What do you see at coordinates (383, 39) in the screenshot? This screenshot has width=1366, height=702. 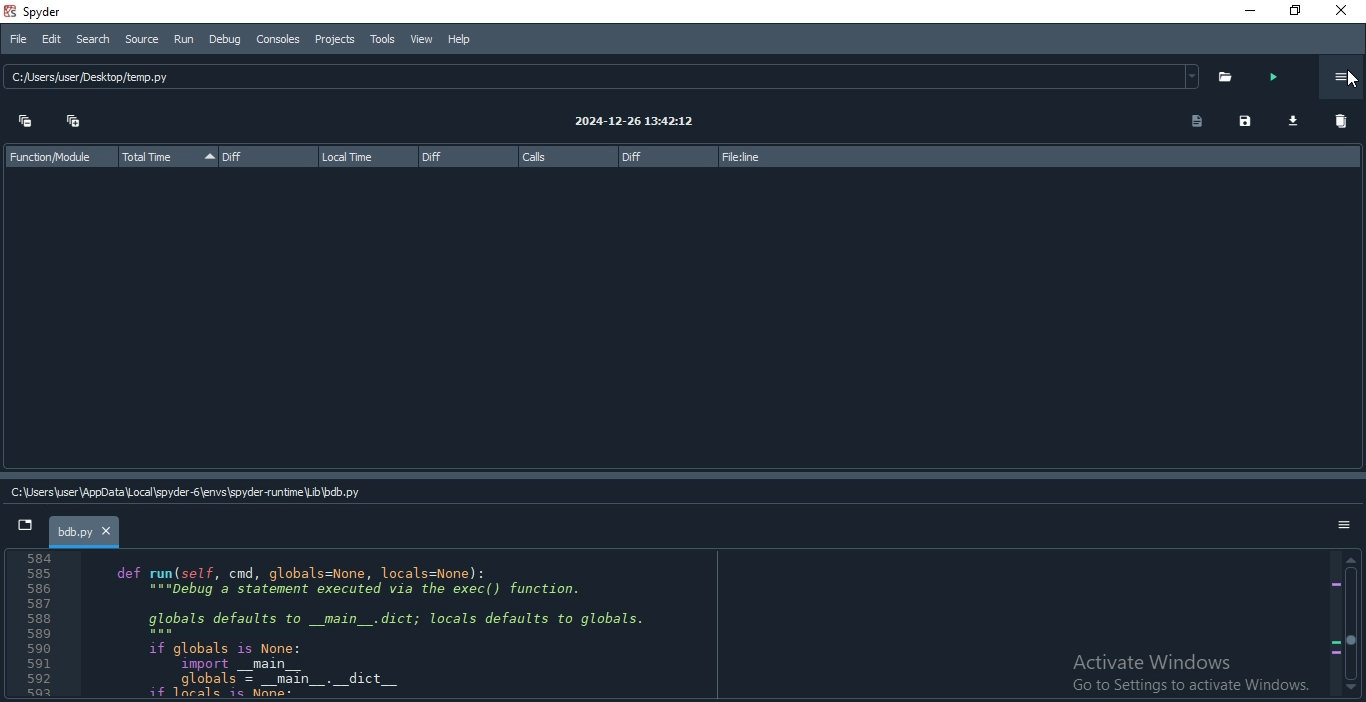 I see `Tools` at bounding box center [383, 39].